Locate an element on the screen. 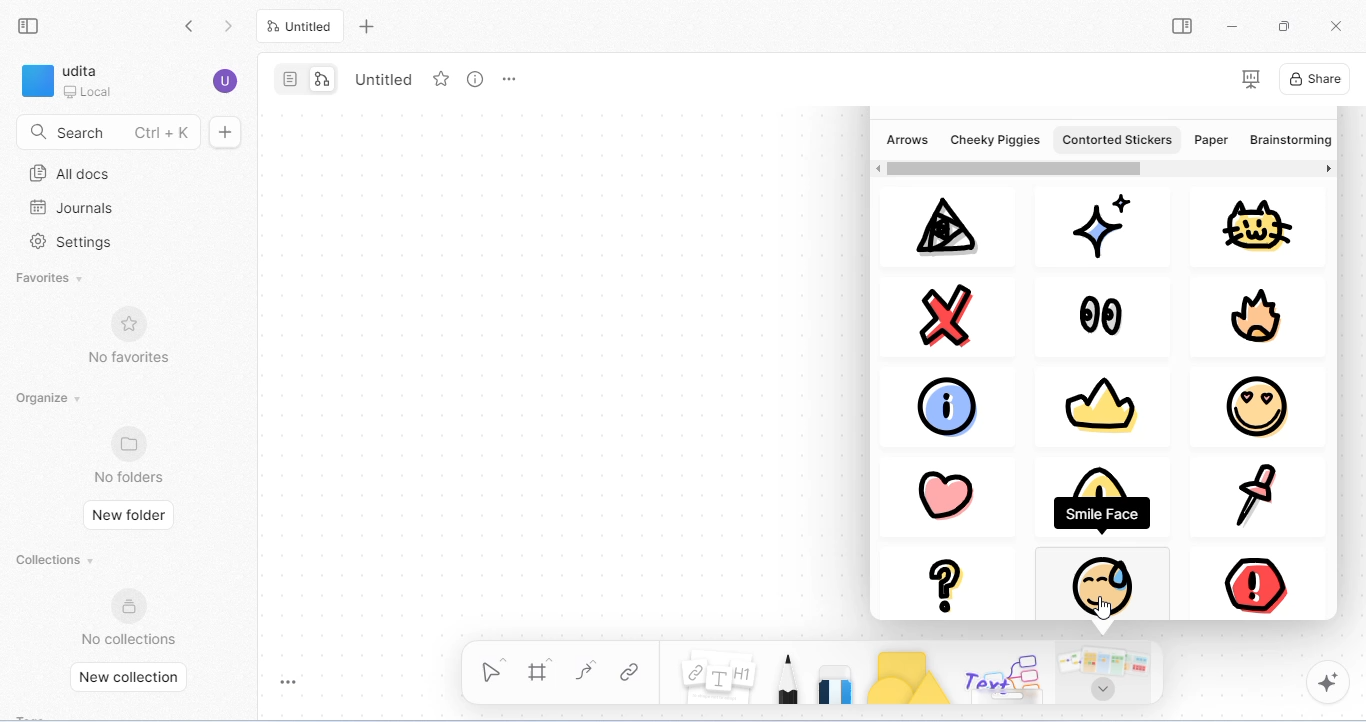 This screenshot has width=1366, height=722. notice is located at coordinates (1096, 582).